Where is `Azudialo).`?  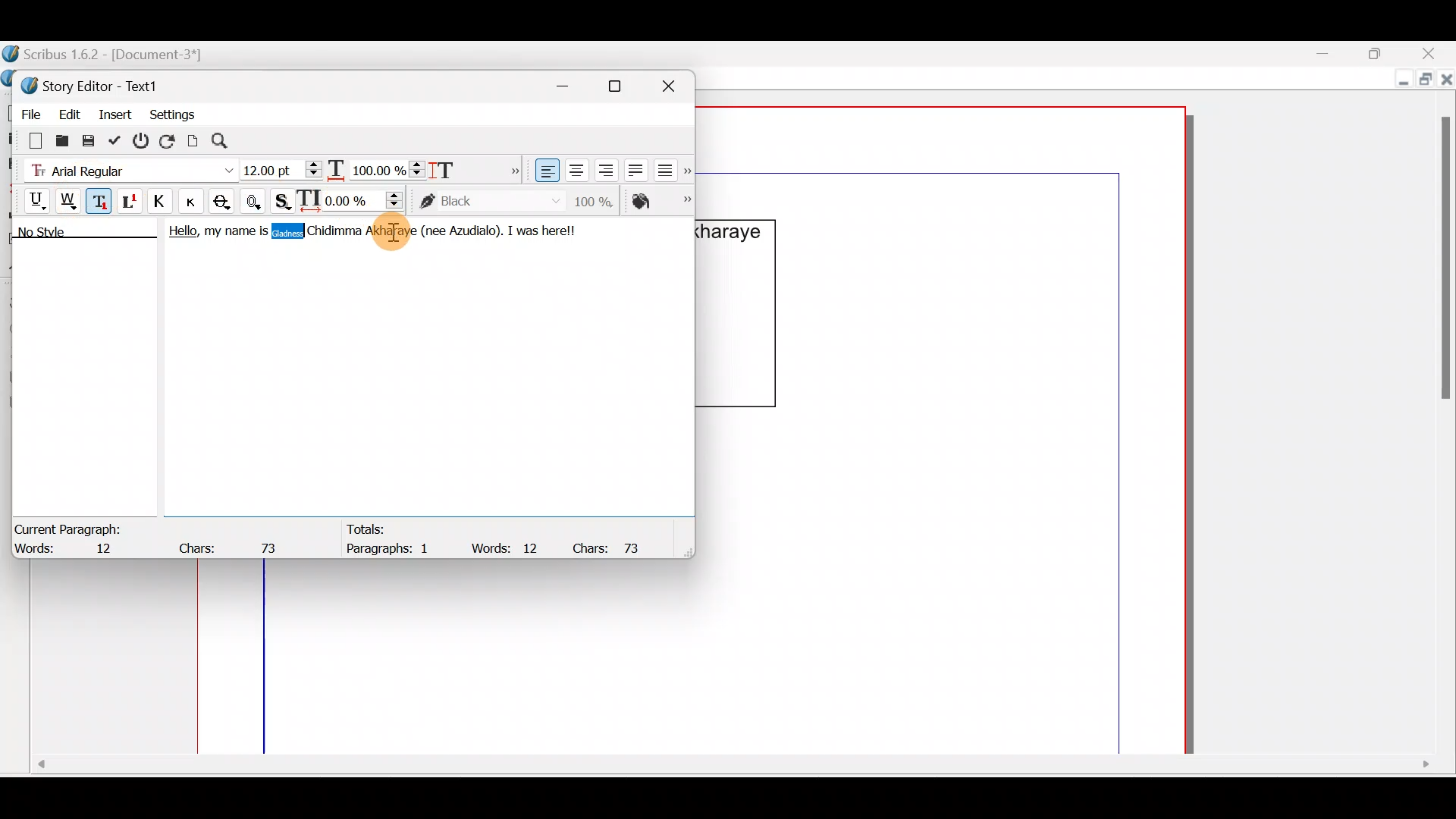 Azudialo). is located at coordinates (477, 229).